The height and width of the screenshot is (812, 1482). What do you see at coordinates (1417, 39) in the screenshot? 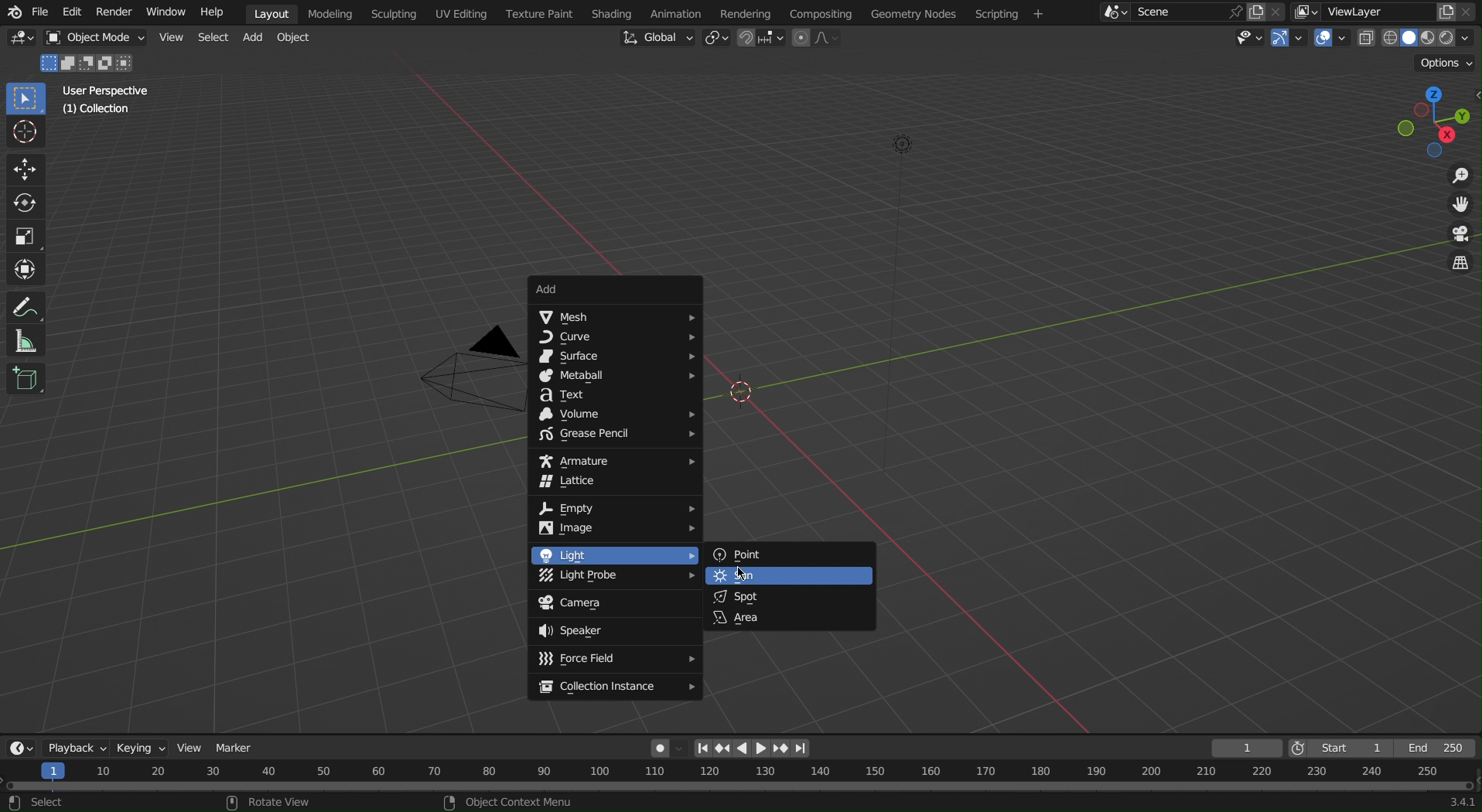
I see `View port Shading` at bounding box center [1417, 39].